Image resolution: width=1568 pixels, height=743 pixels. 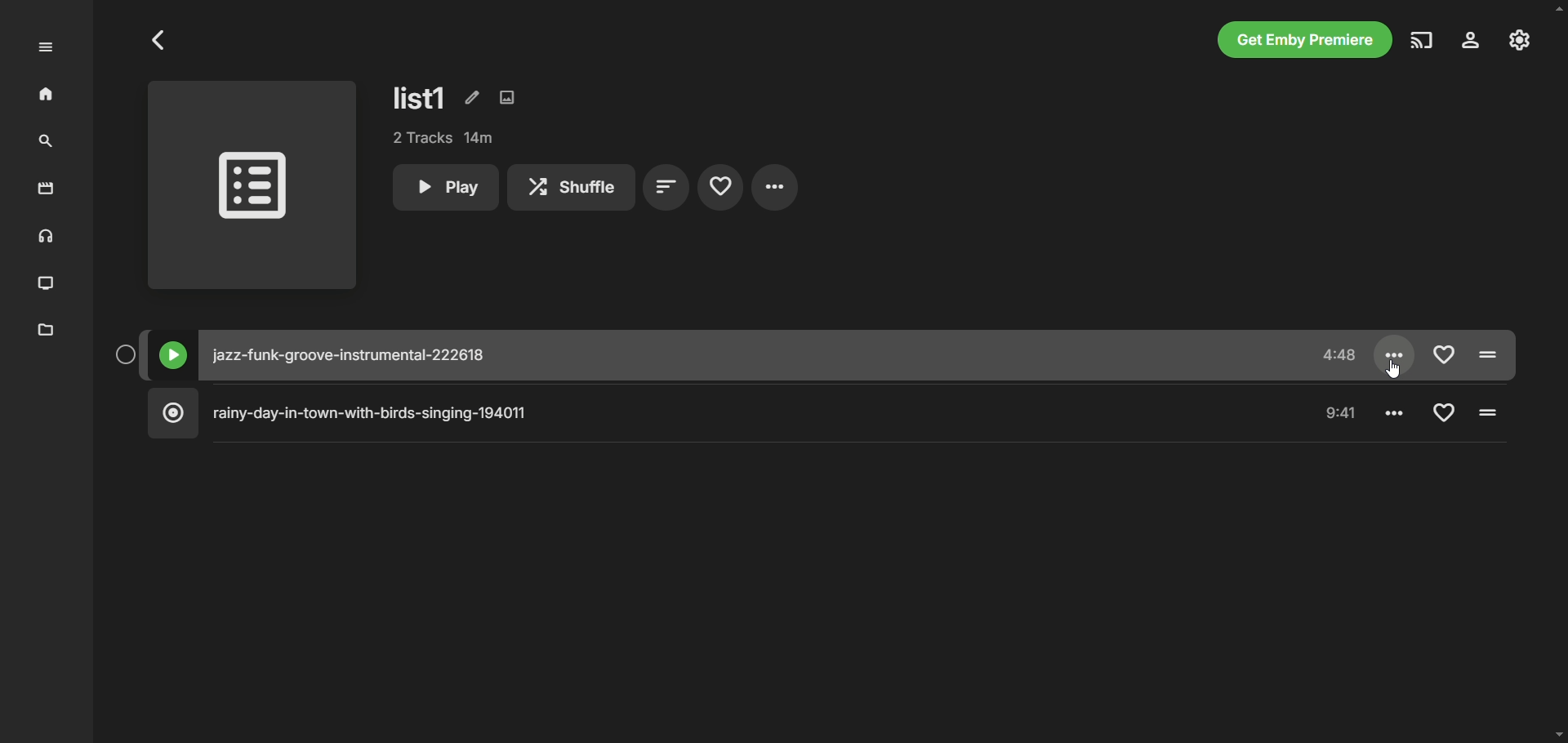 What do you see at coordinates (470, 96) in the screenshot?
I see `edit metadata` at bounding box center [470, 96].